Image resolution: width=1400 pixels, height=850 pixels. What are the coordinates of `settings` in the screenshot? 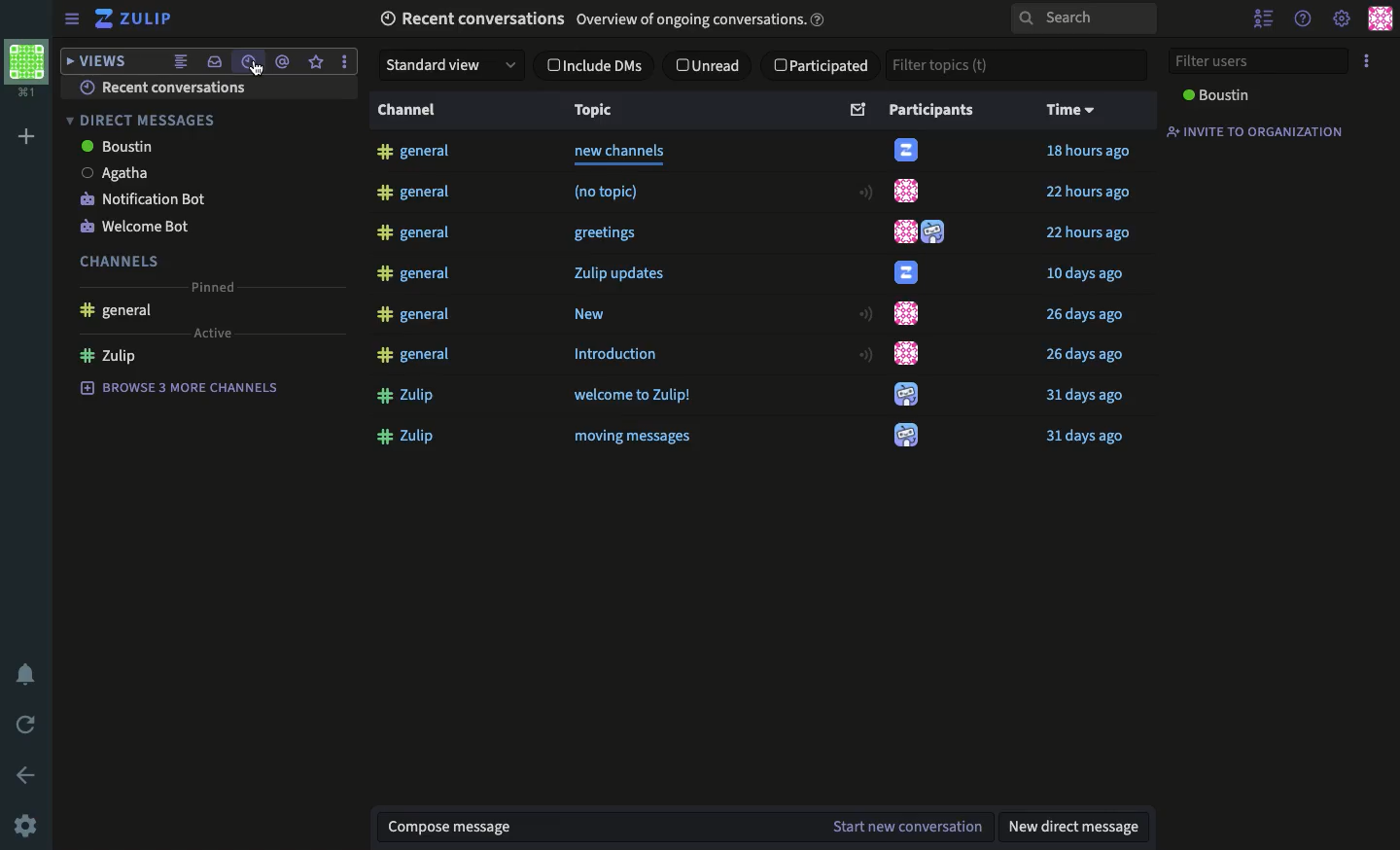 It's located at (23, 826).